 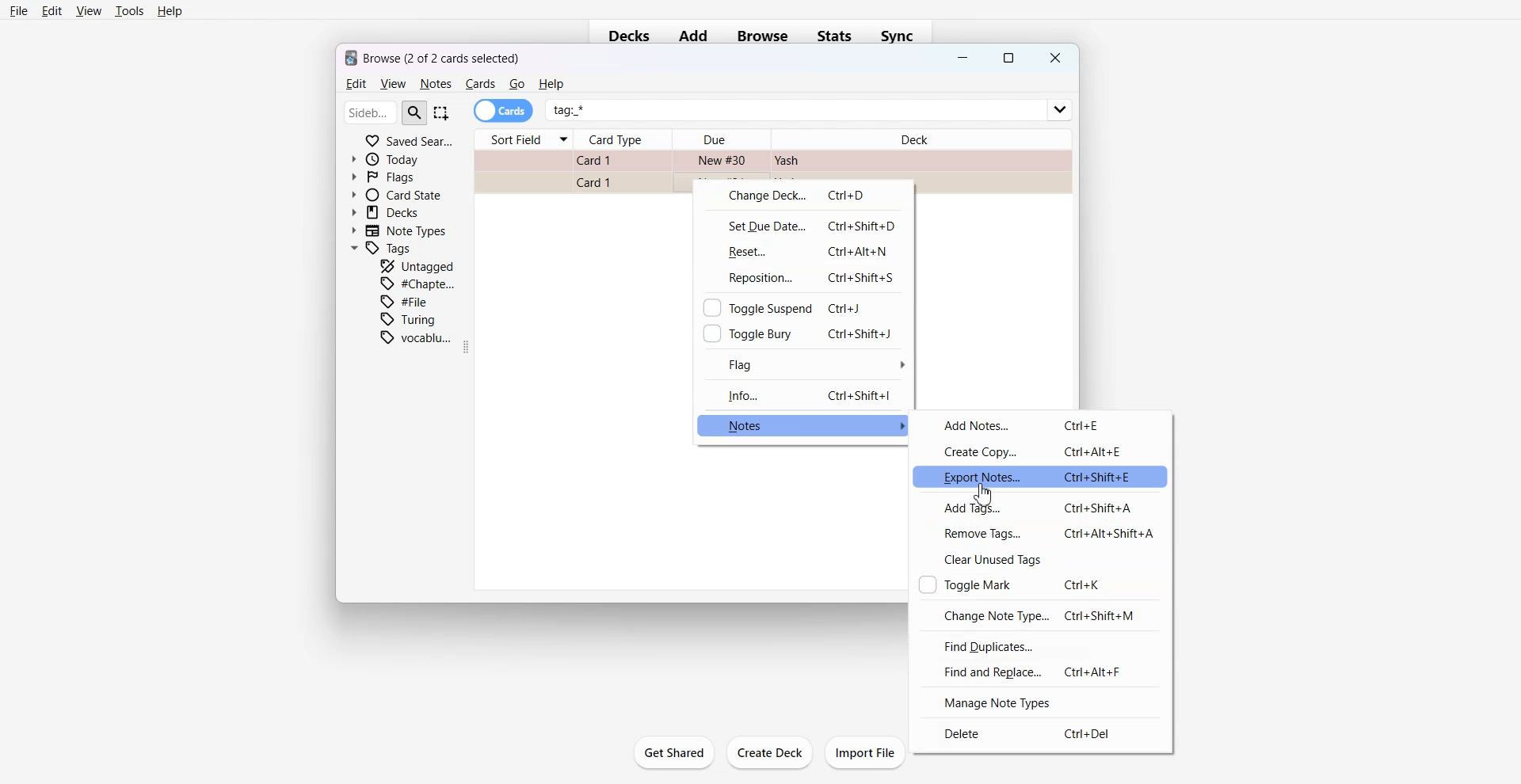 I want to click on Remove Tags, so click(x=1039, y=533).